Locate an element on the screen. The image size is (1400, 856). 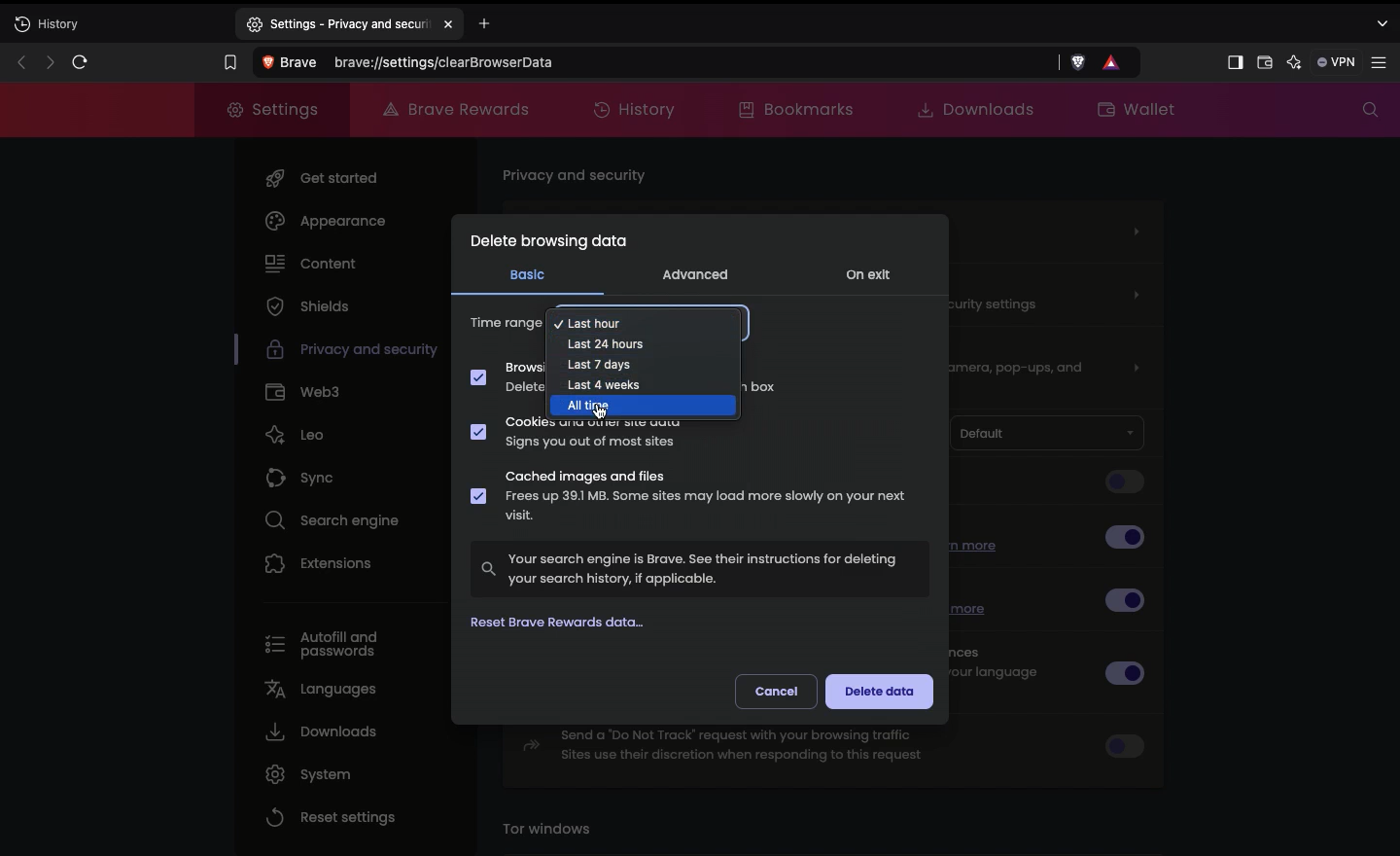
ON exit is located at coordinates (872, 277).